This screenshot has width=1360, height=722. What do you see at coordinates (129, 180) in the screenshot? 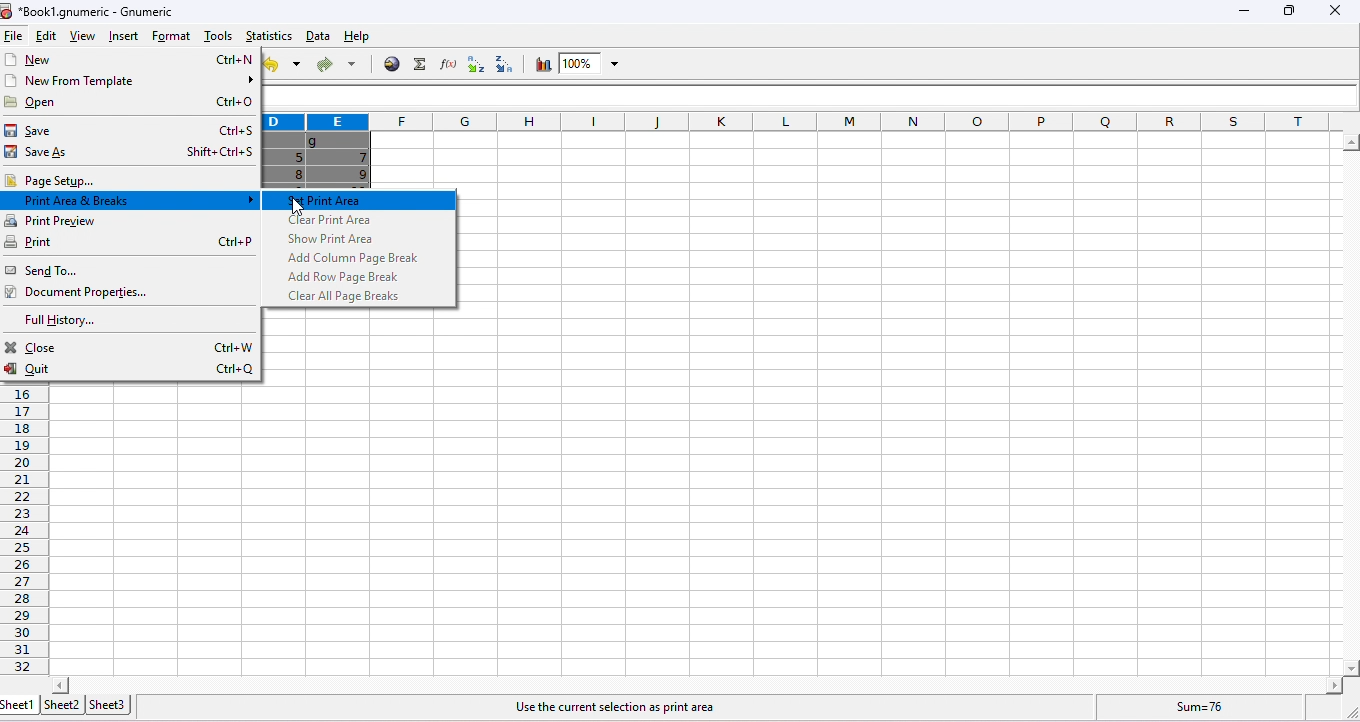
I see `page set up` at bounding box center [129, 180].